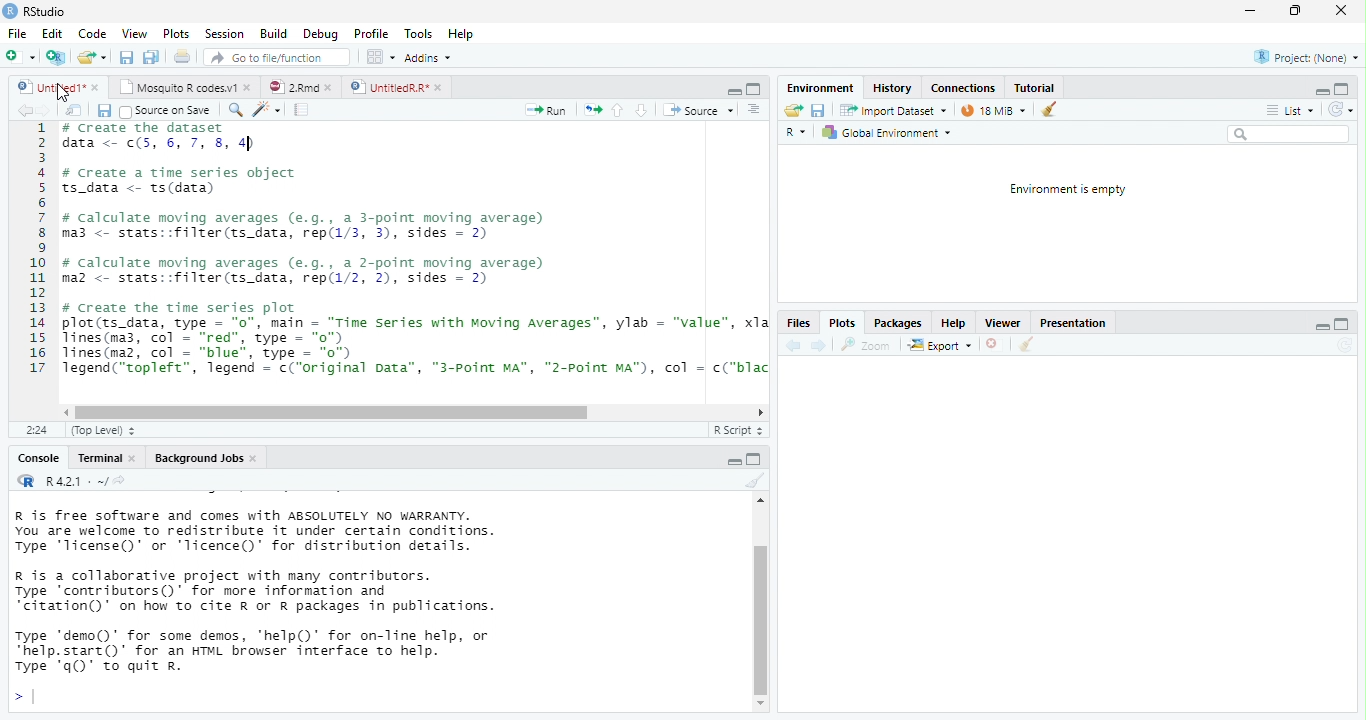 This screenshot has width=1366, height=720. Describe the element at coordinates (303, 109) in the screenshot. I see `compile report` at that location.